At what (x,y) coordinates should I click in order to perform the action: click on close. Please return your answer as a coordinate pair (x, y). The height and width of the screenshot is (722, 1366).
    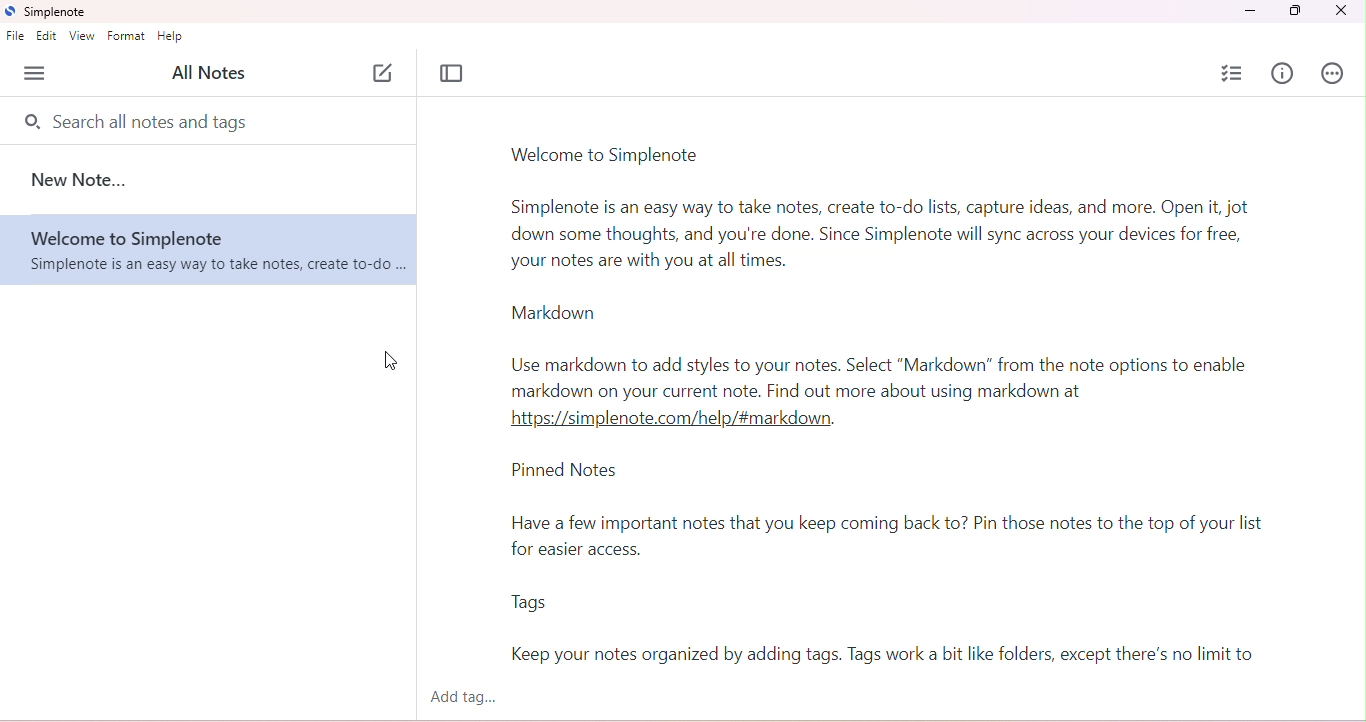
    Looking at the image, I should click on (1346, 11).